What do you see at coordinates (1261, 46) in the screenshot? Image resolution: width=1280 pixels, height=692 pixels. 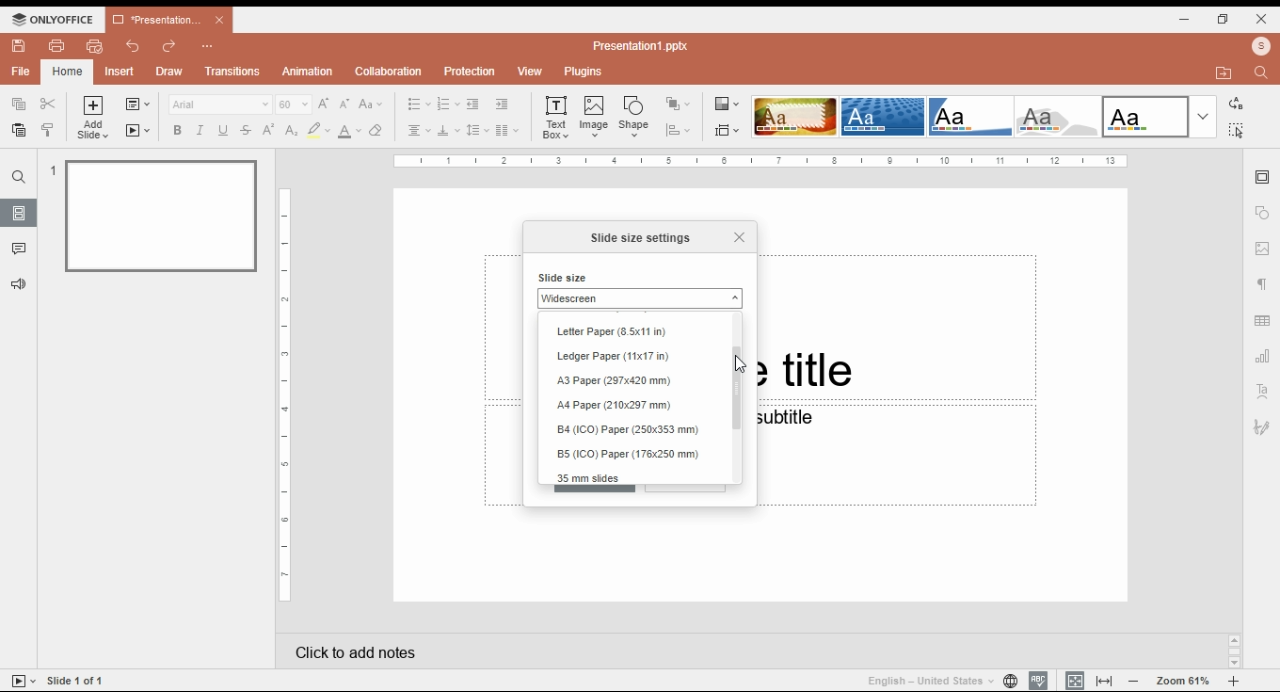 I see `profile` at bounding box center [1261, 46].